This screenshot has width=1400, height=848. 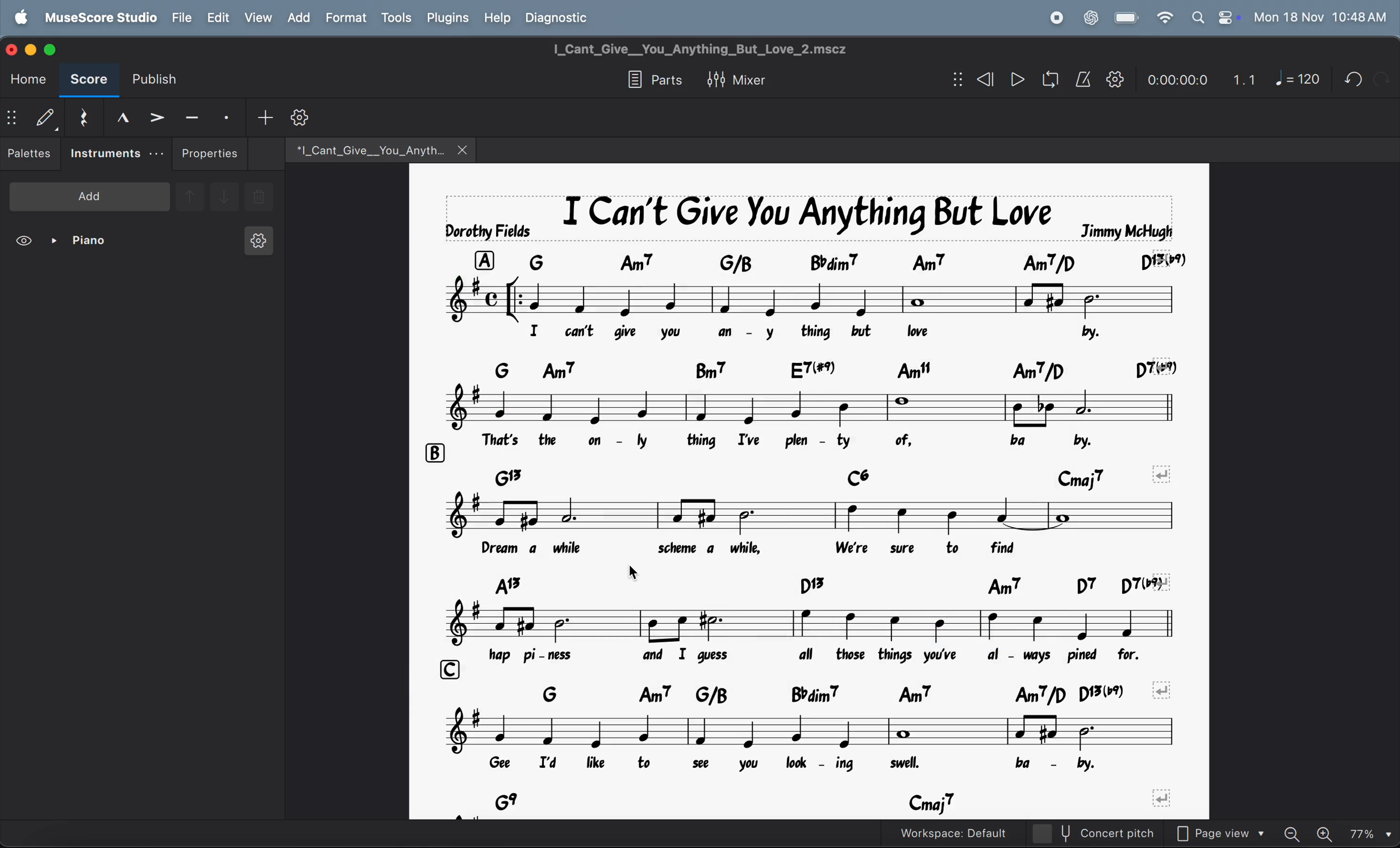 I want to click on apple menu, so click(x=23, y=16).